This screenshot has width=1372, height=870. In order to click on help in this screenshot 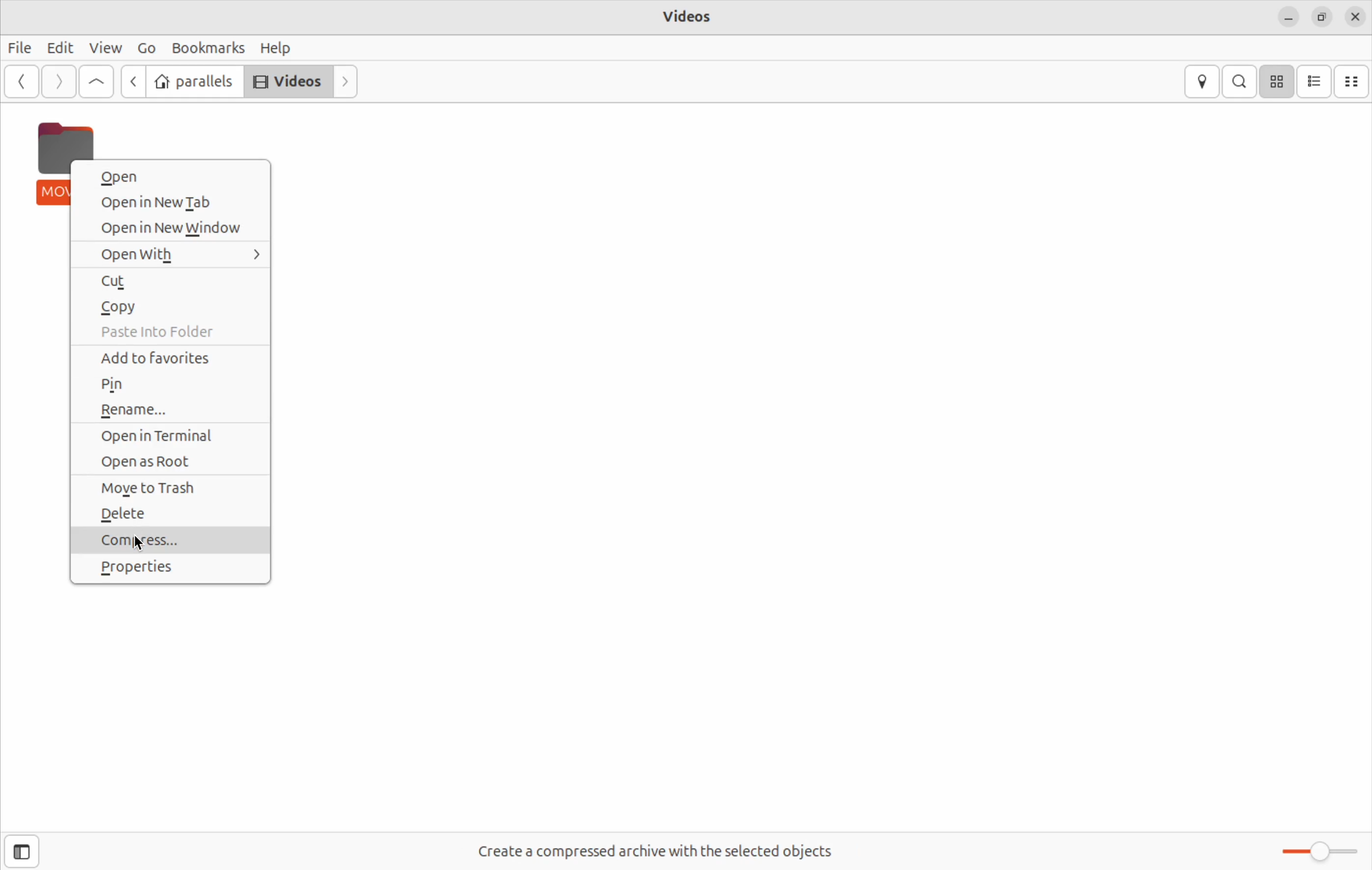, I will do `click(279, 48)`.